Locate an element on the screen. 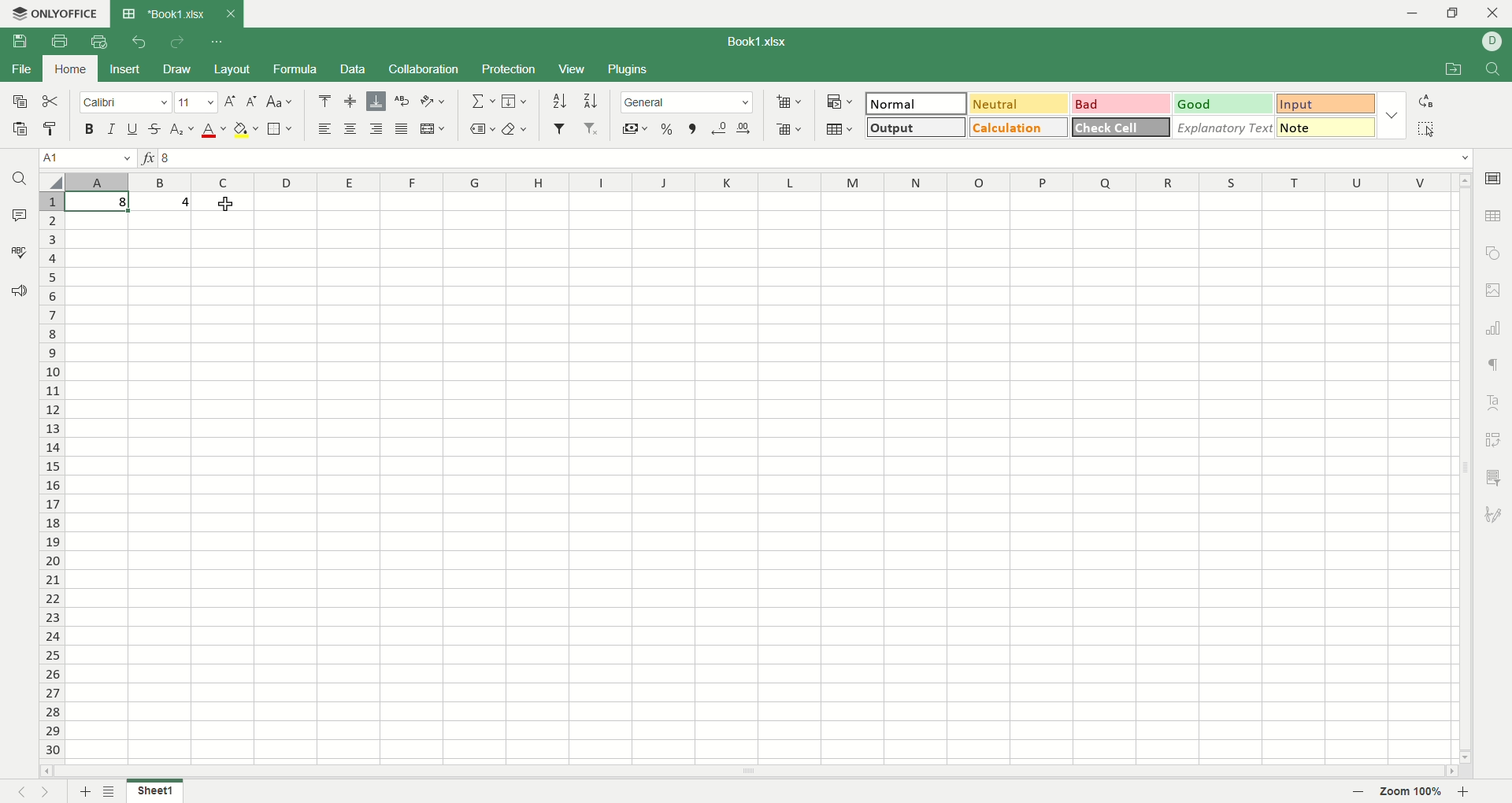 The height and width of the screenshot is (803, 1512). decrease decimal is located at coordinates (718, 129).